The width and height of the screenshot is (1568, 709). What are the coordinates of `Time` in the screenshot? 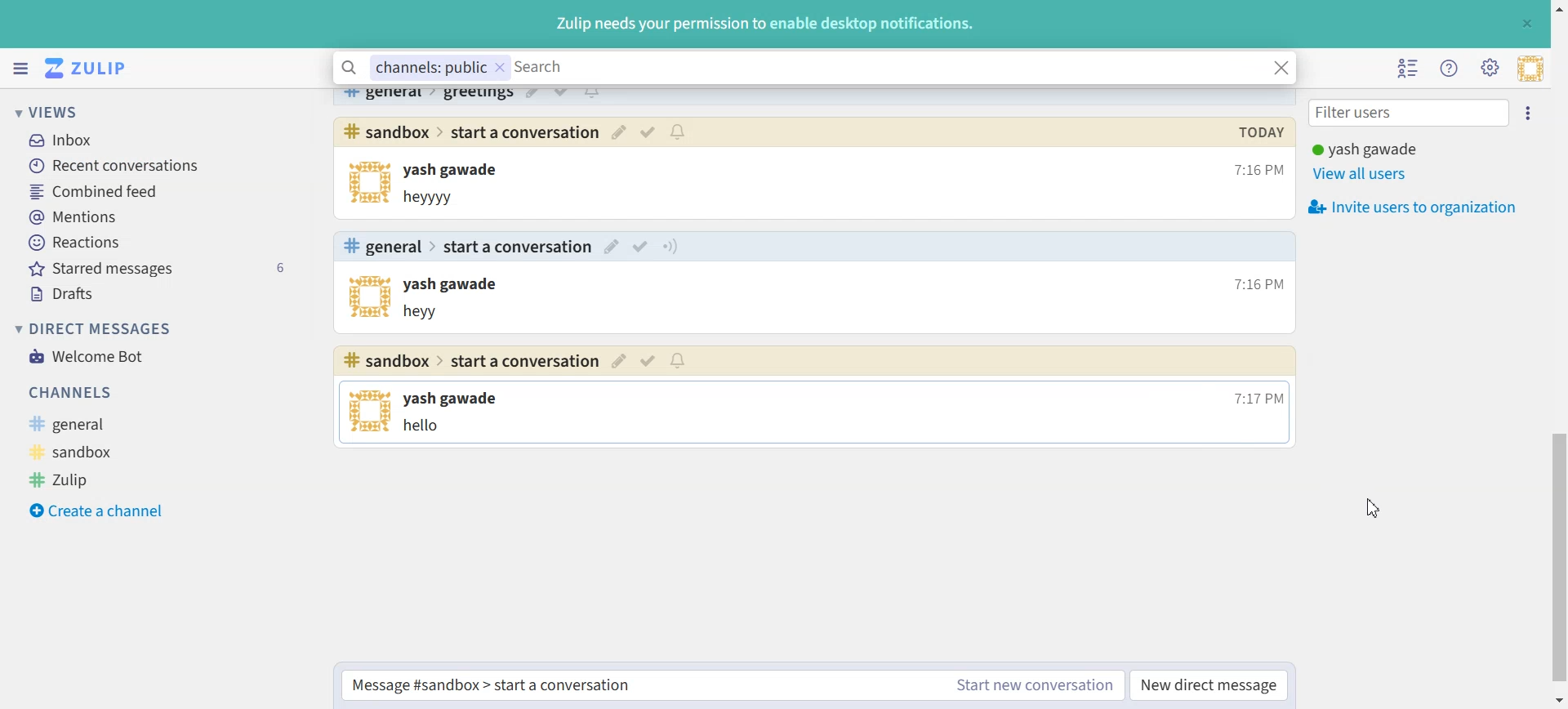 It's located at (1256, 396).